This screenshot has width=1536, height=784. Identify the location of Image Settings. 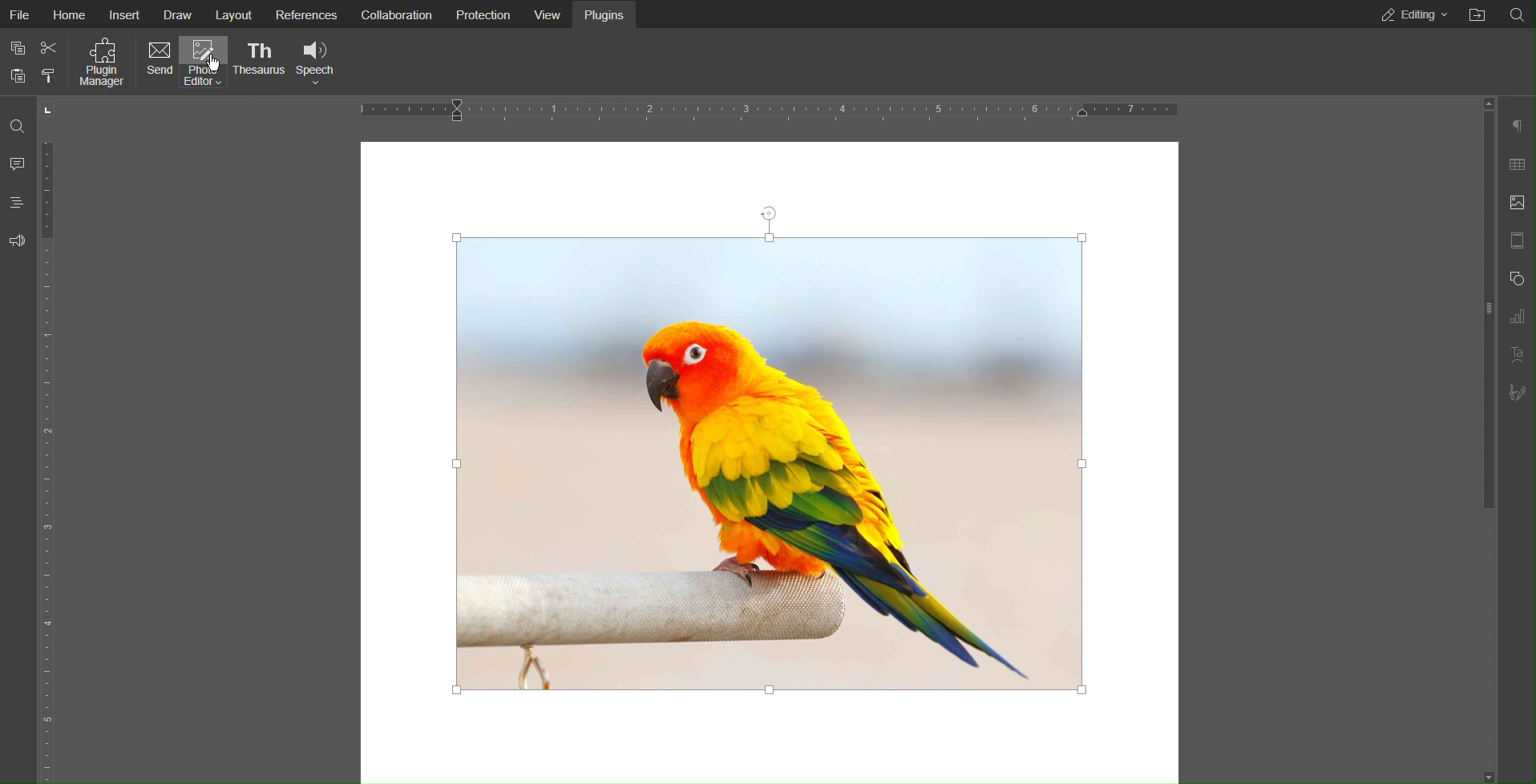
(1516, 204).